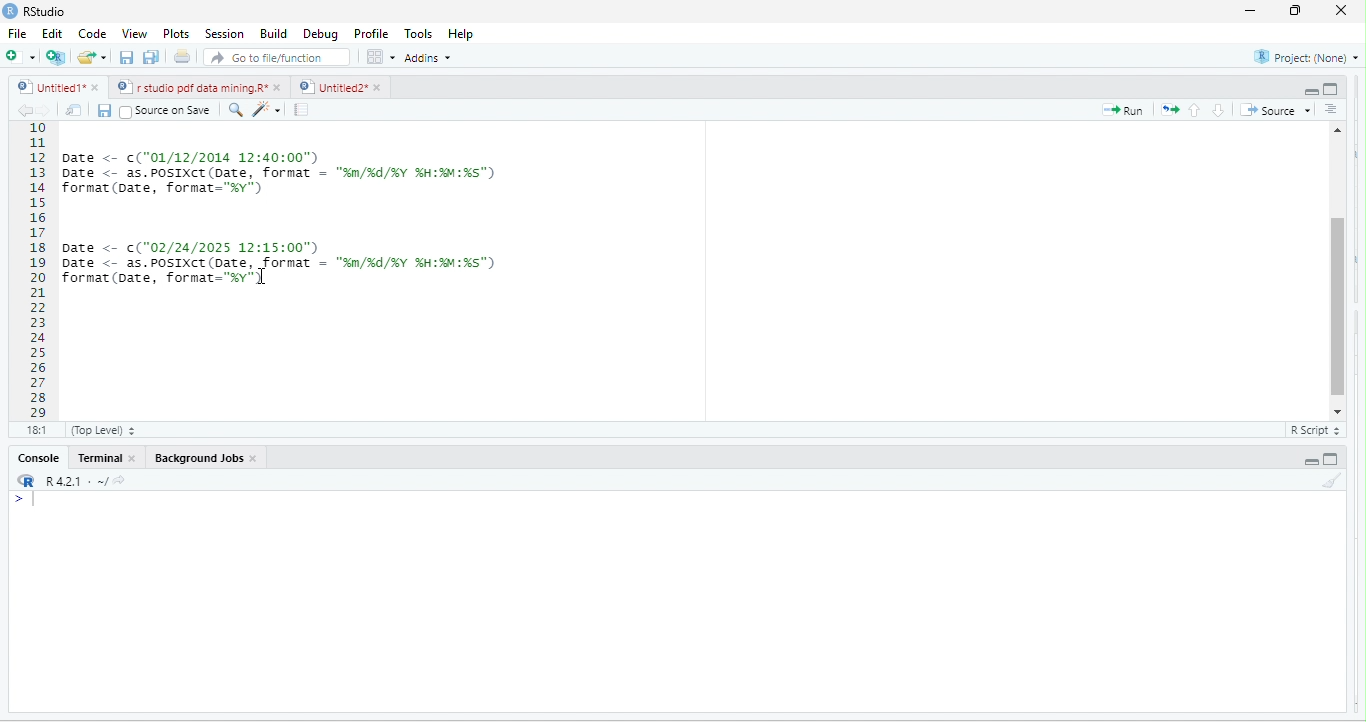  What do you see at coordinates (1173, 108) in the screenshot?
I see `re run the previous code region` at bounding box center [1173, 108].